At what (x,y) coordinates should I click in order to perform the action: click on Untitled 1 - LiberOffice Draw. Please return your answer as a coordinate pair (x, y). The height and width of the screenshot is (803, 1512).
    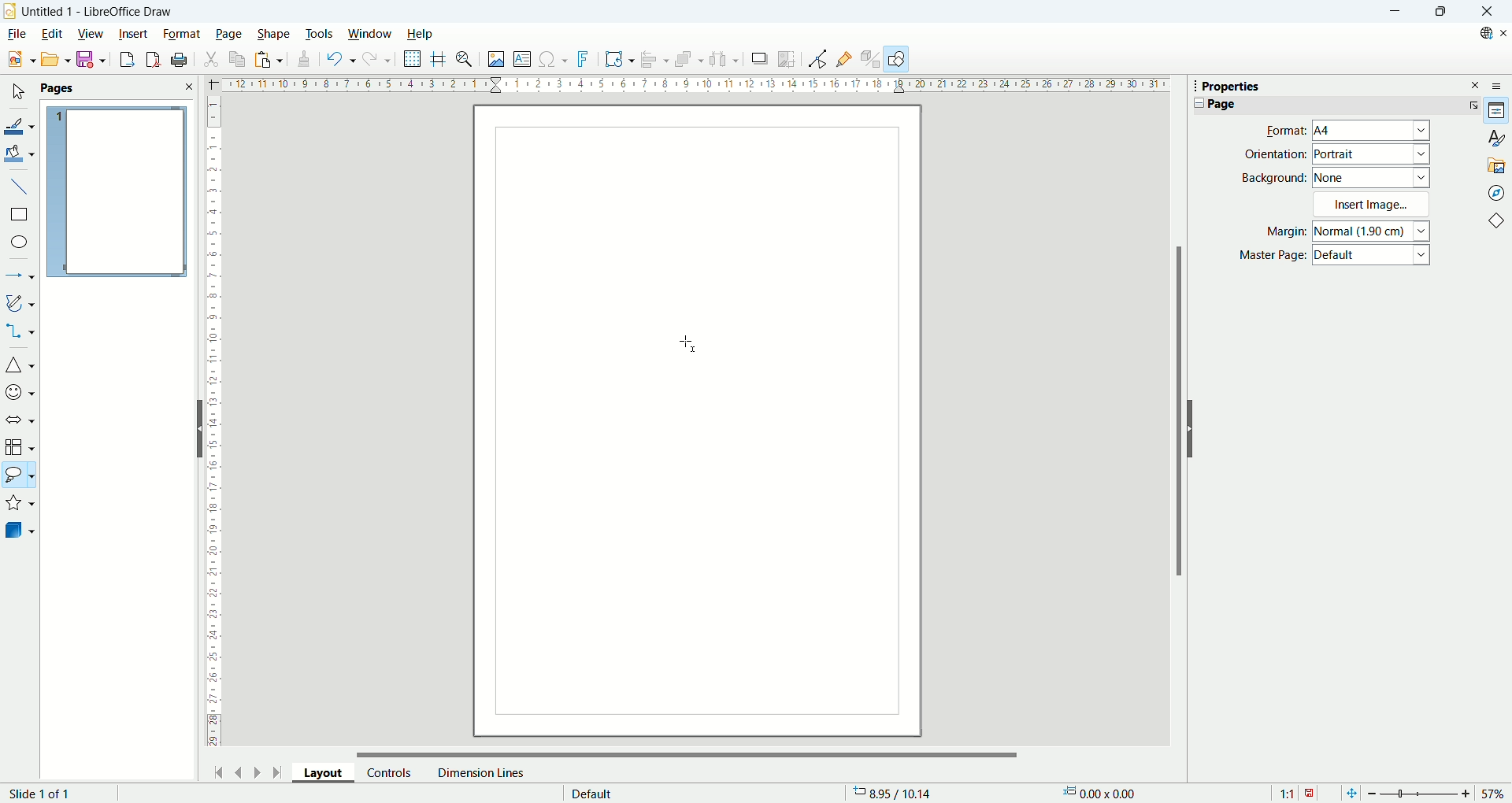
    Looking at the image, I should click on (98, 9).